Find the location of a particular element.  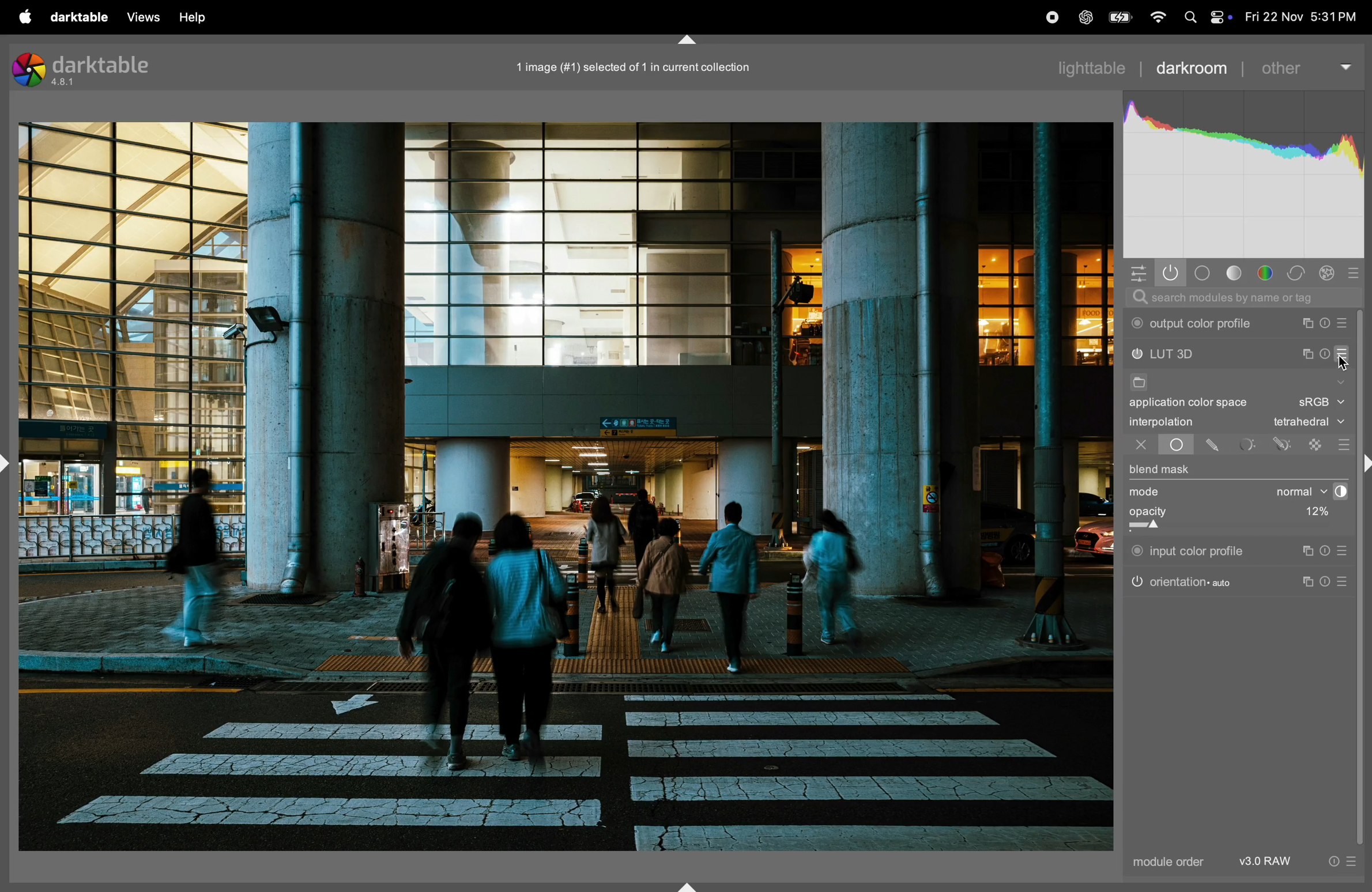

presets is located at coordinates (1344, 356).